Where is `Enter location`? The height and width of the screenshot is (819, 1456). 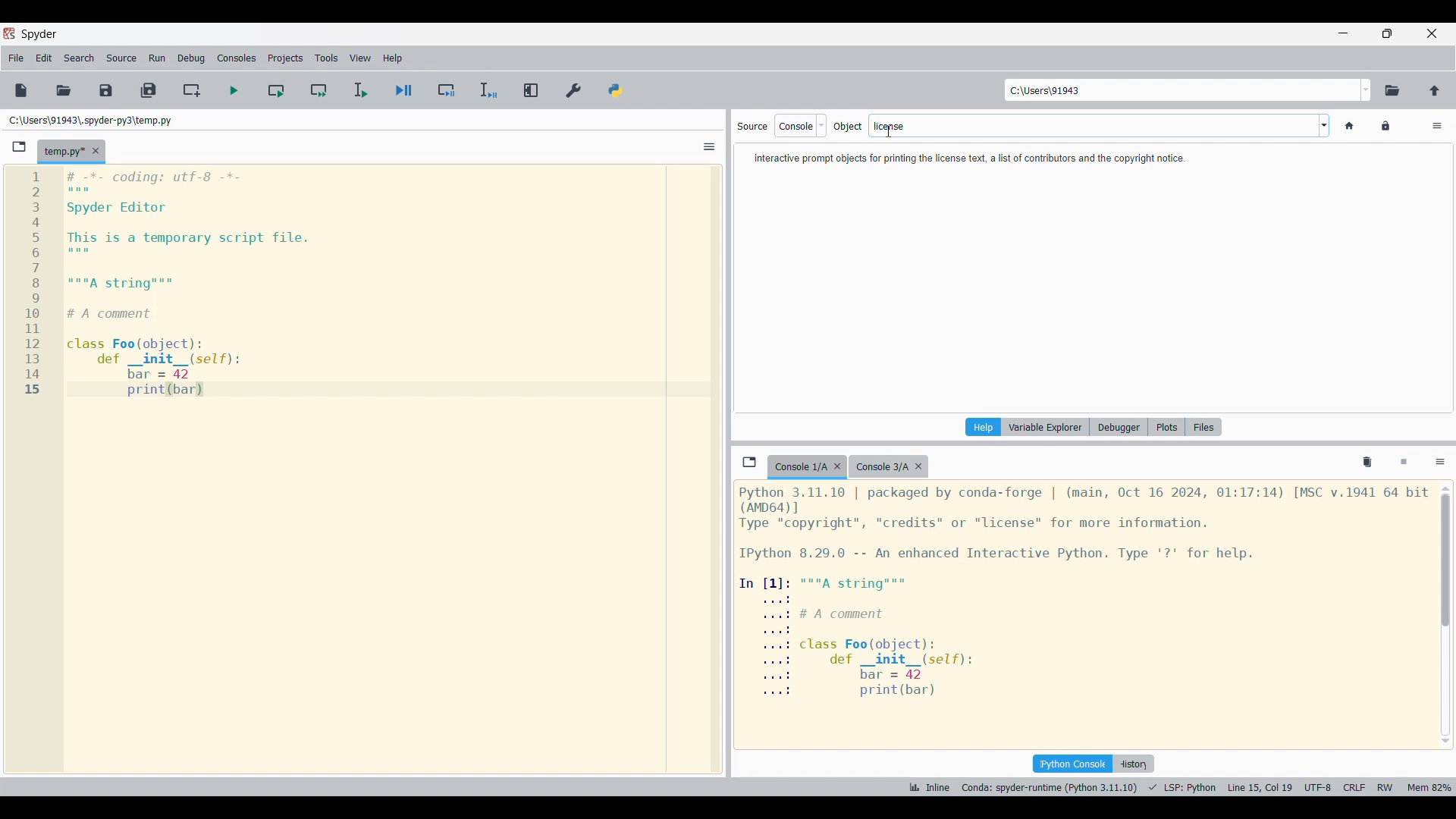
Enter location is located at coordinates (1182, 90).